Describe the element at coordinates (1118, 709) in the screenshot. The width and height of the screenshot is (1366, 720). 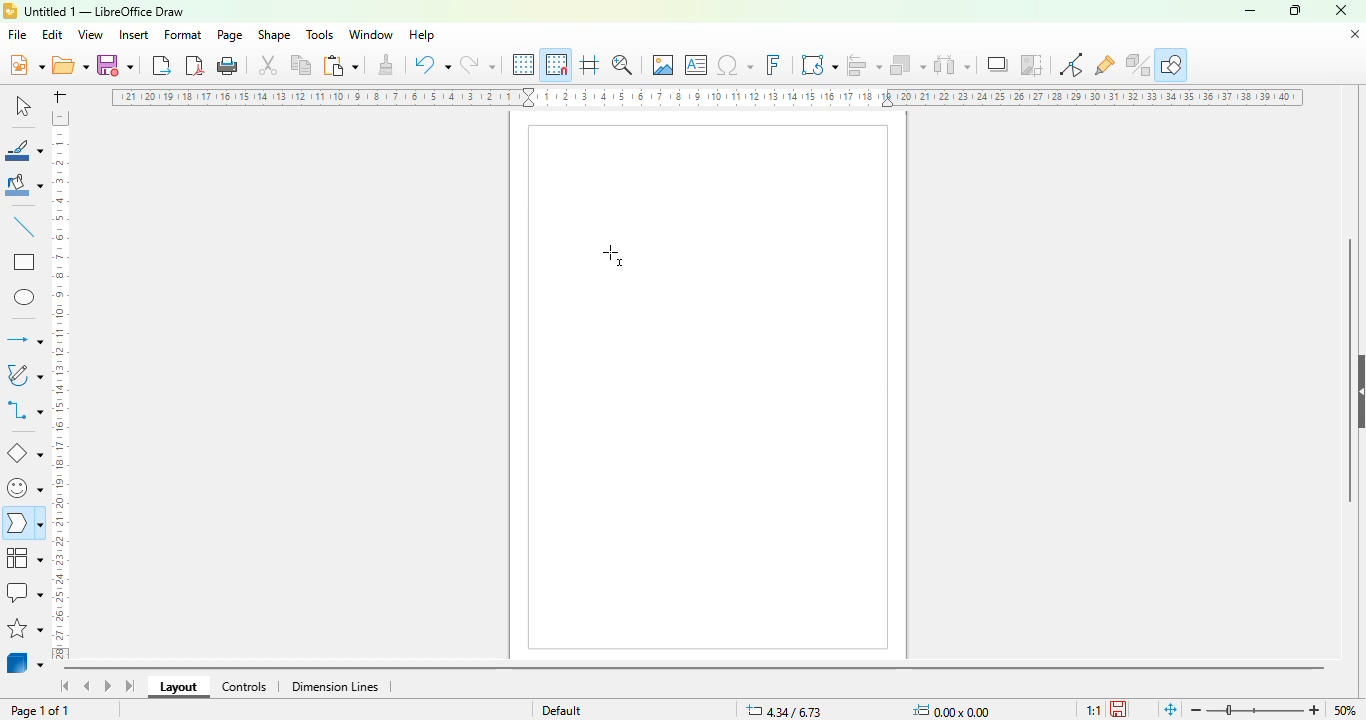
I see `click to save the document` at that location.